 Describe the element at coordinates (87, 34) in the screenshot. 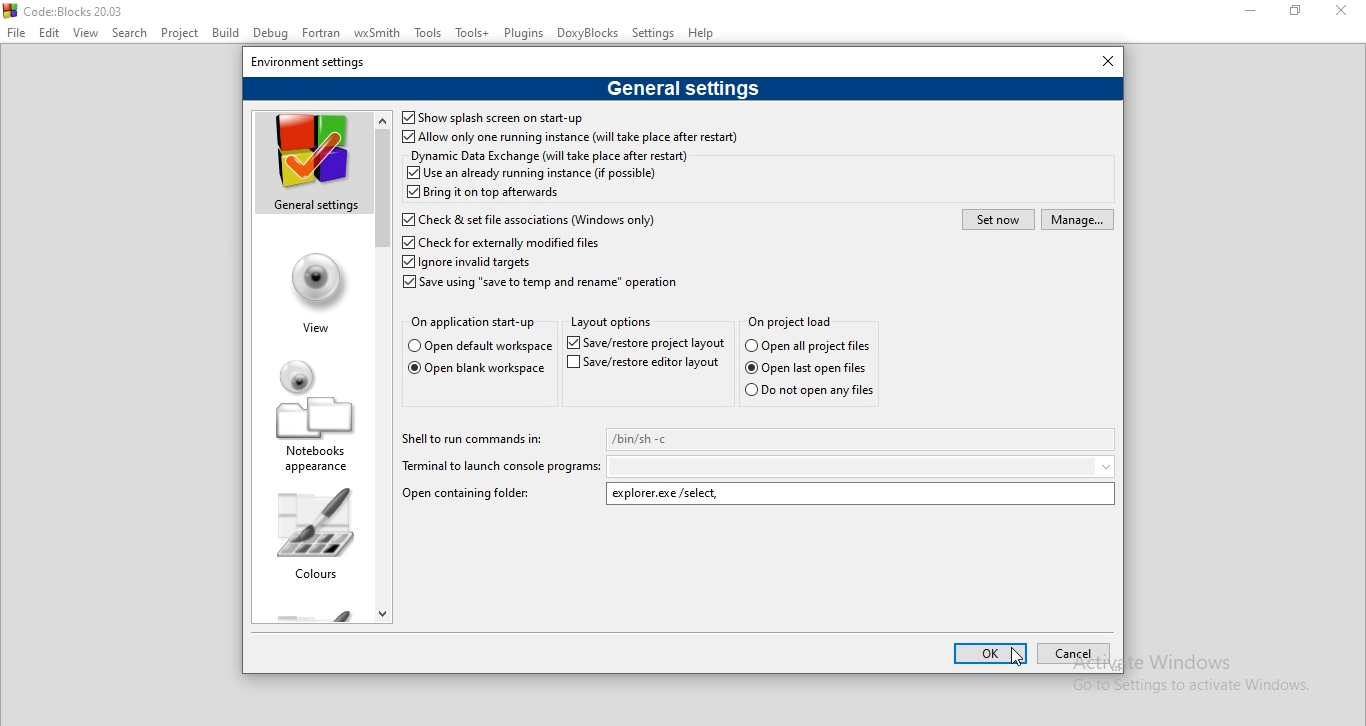

I see `View` at that location.